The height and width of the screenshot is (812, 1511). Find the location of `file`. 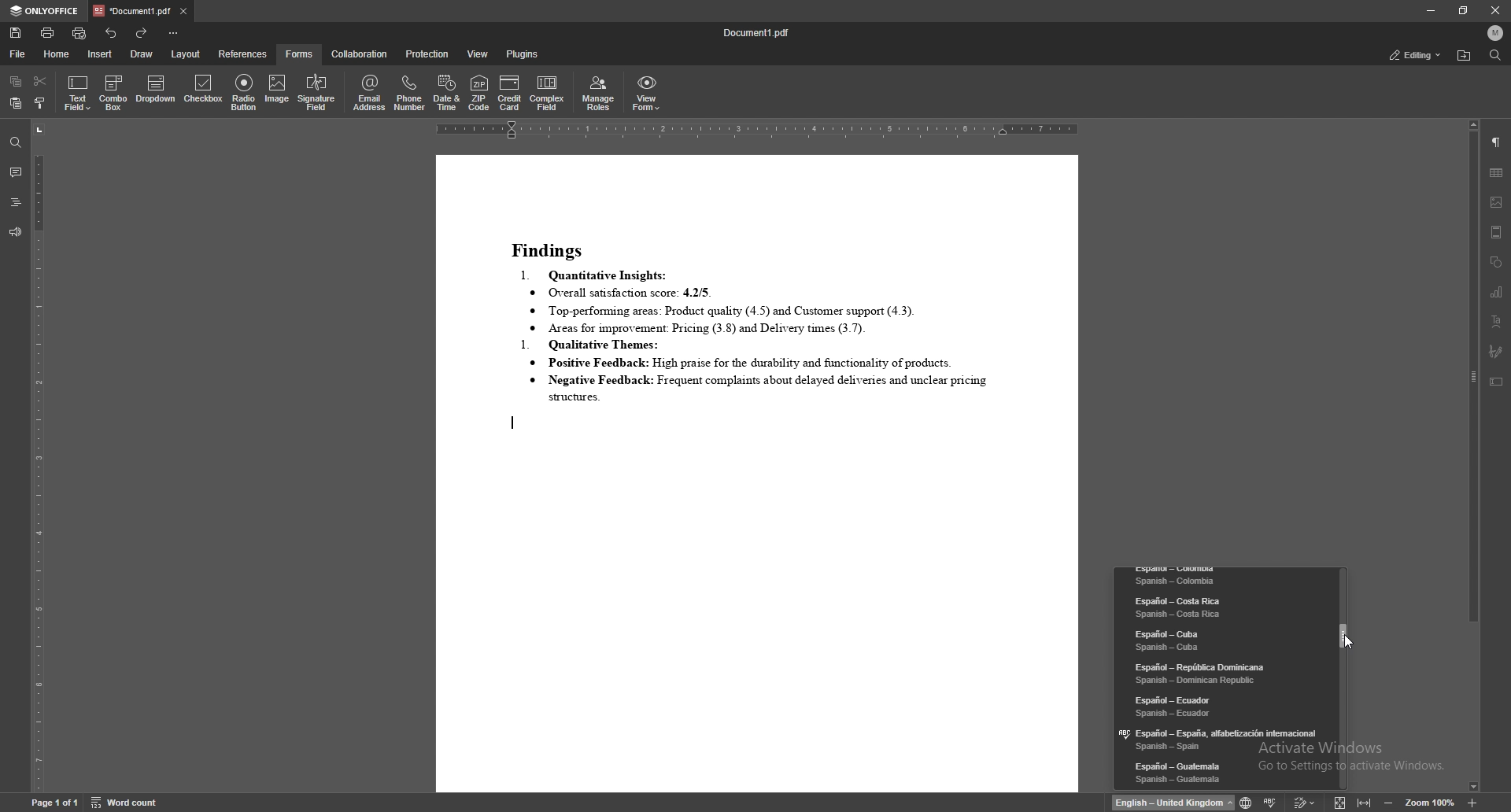

file is located at coordinates (18, 54).